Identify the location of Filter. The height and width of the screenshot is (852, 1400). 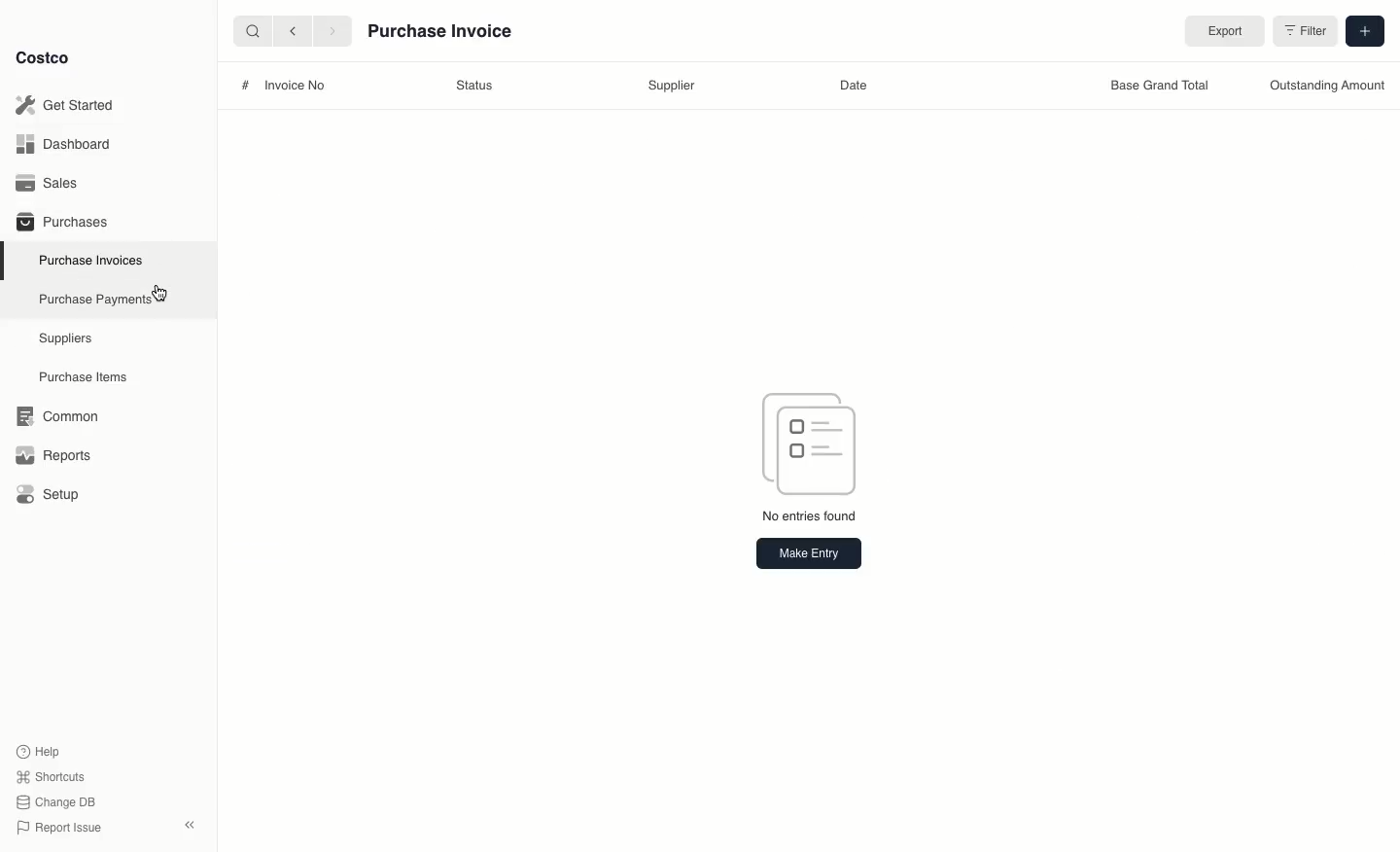
(1304, 34).